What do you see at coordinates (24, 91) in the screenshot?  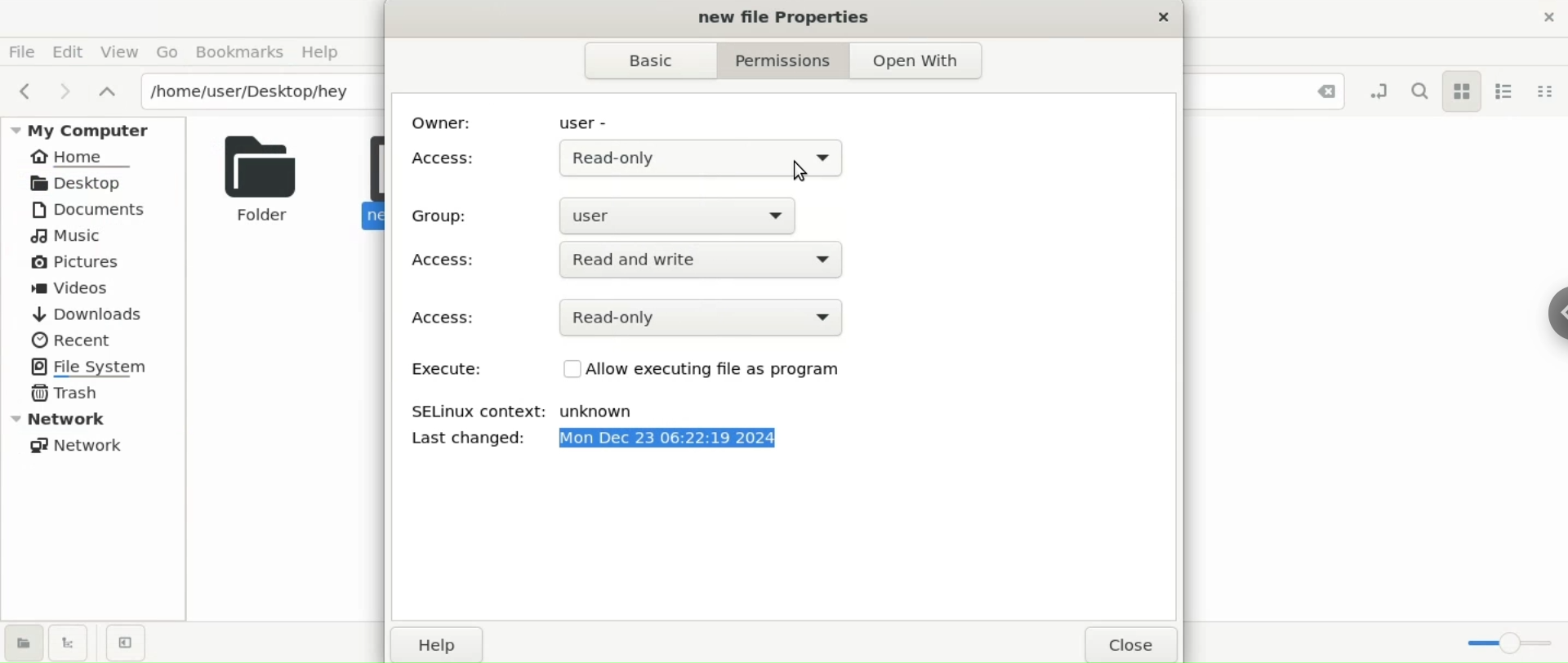 I see `previous` at bounding box center [24, 91].